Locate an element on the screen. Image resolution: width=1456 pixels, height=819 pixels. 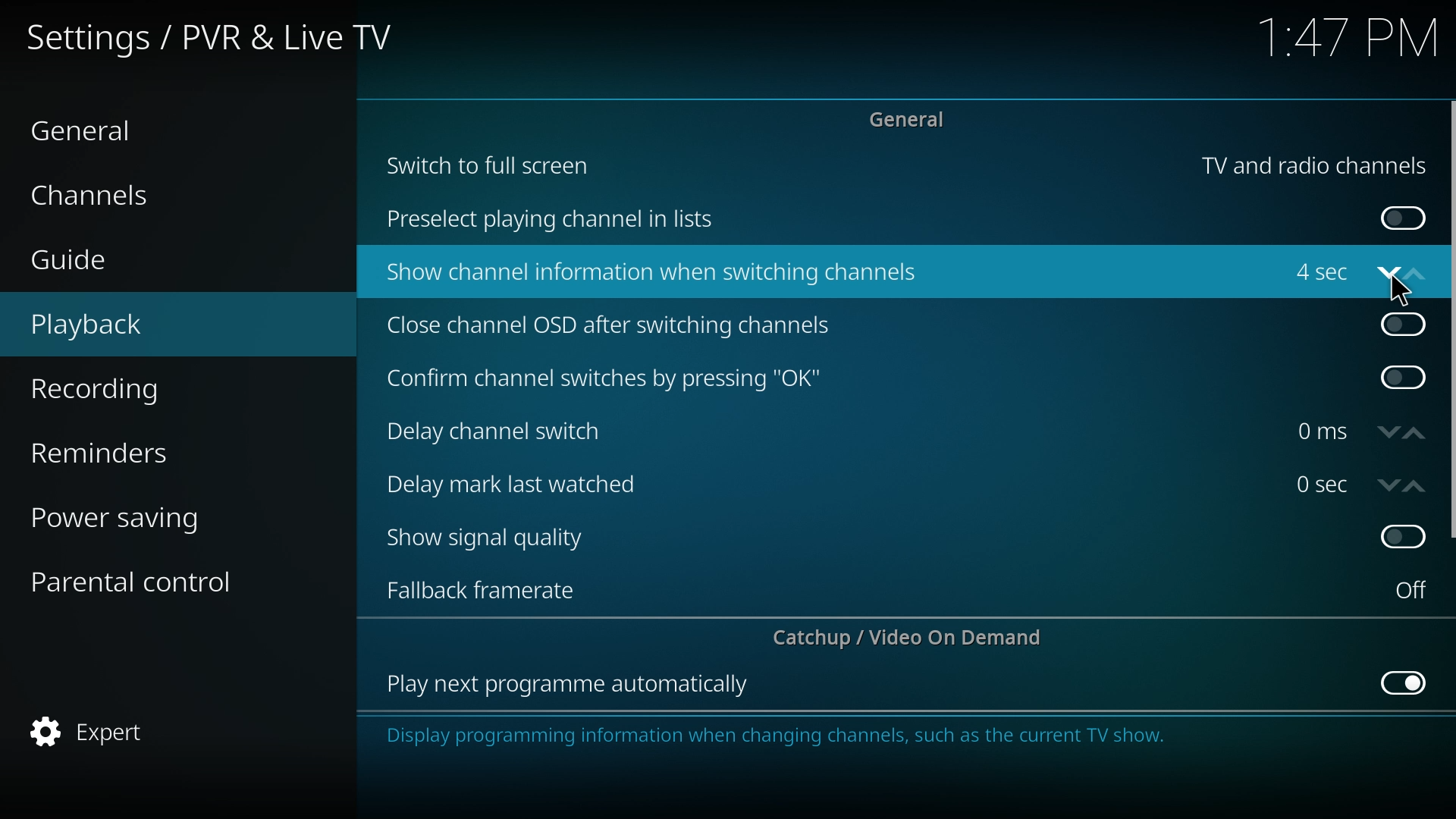
decrease time is located at coordinates (1390, 433).